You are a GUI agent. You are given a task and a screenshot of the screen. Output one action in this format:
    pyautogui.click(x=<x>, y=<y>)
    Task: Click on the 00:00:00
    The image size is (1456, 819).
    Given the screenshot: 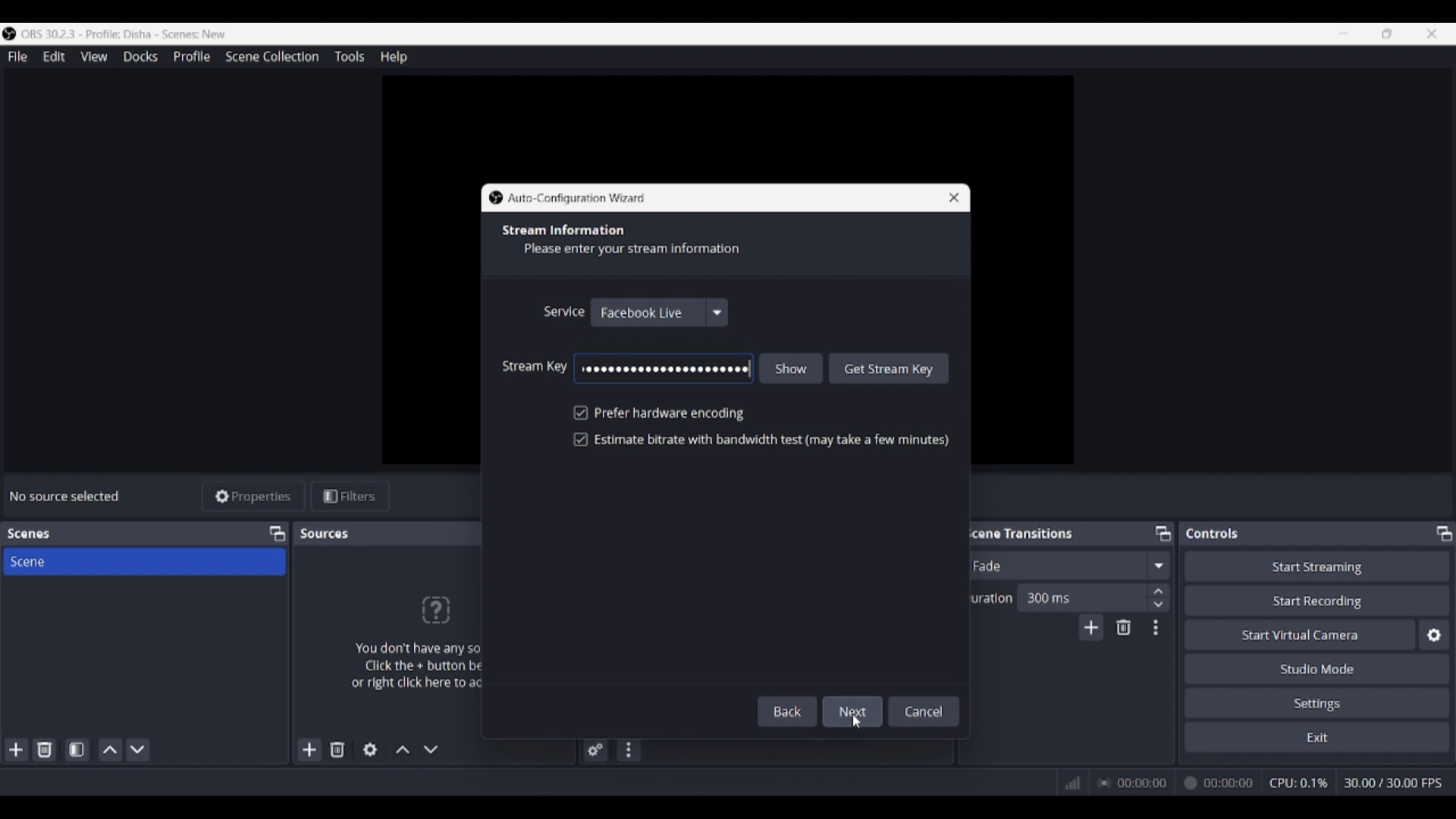 What is the action you would take?
    pyautogui.click(x=1178, y=783)
    